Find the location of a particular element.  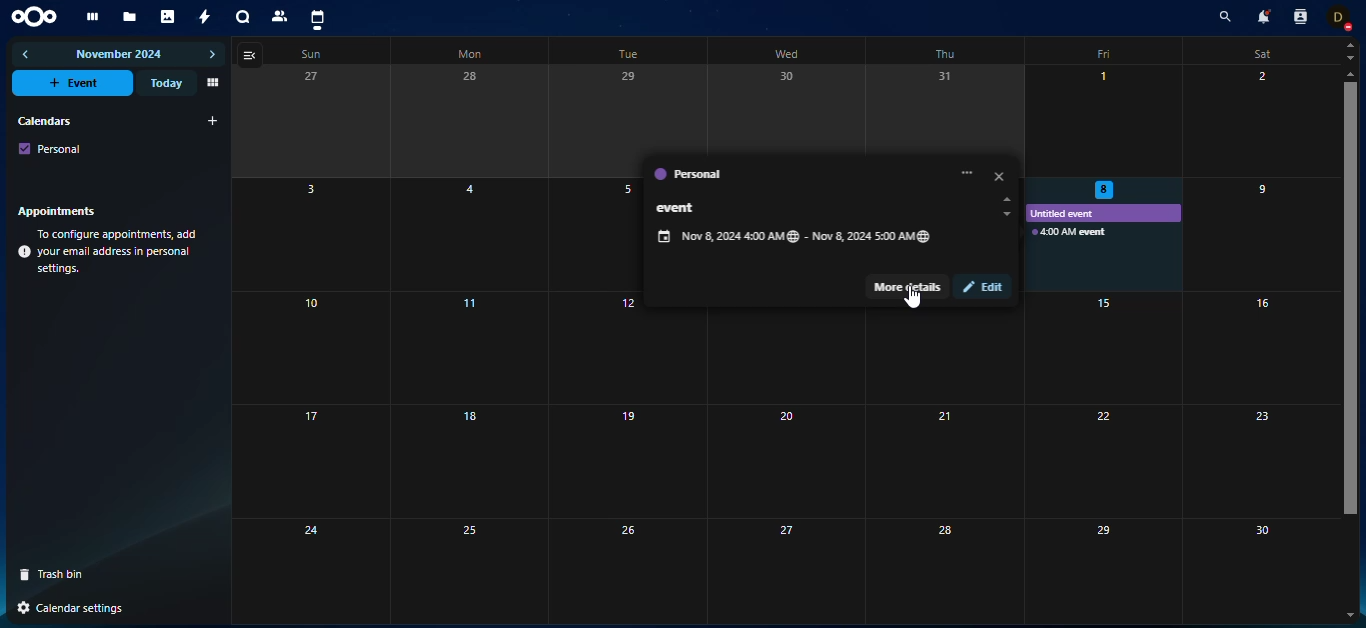

sat is located at coordinates (1259, 54).